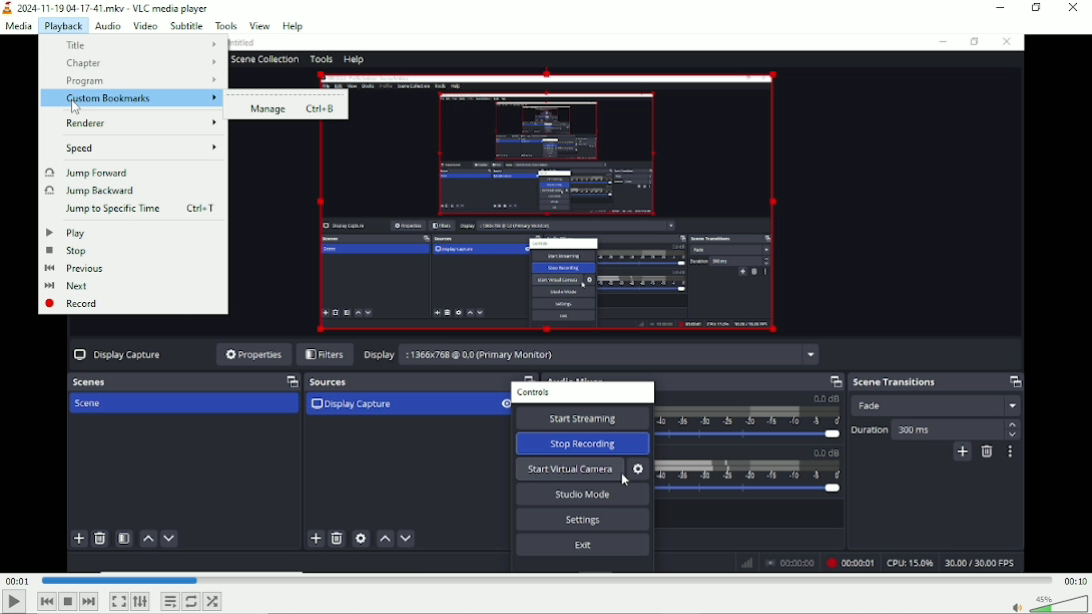 The height and width of the screenshot is (614, 1092). Describe the element at coordinates (64, 26) in the screenshot. I see `Playback` at that location.